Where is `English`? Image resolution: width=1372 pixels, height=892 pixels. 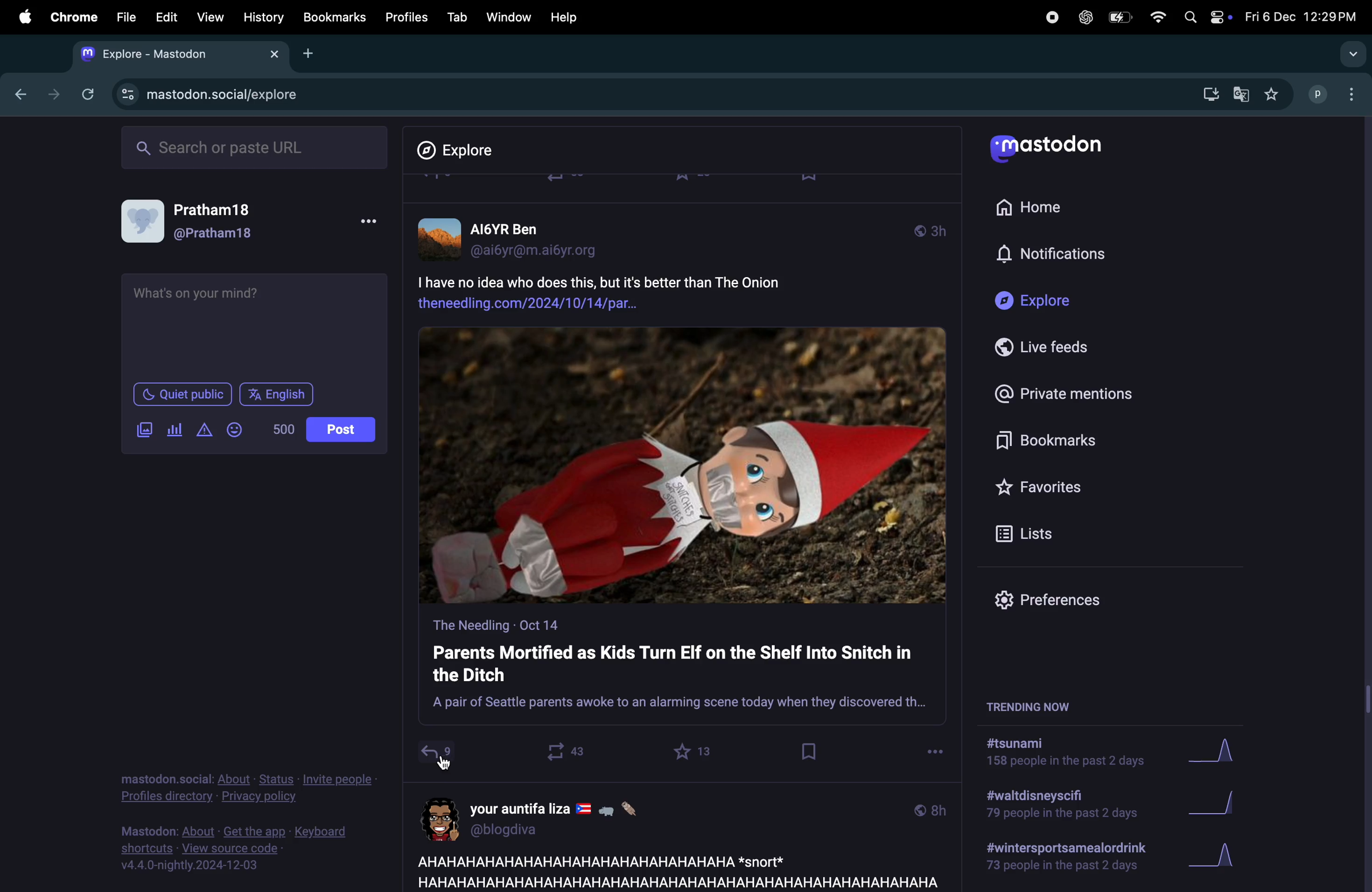 English is located at coordinates (278, 394).